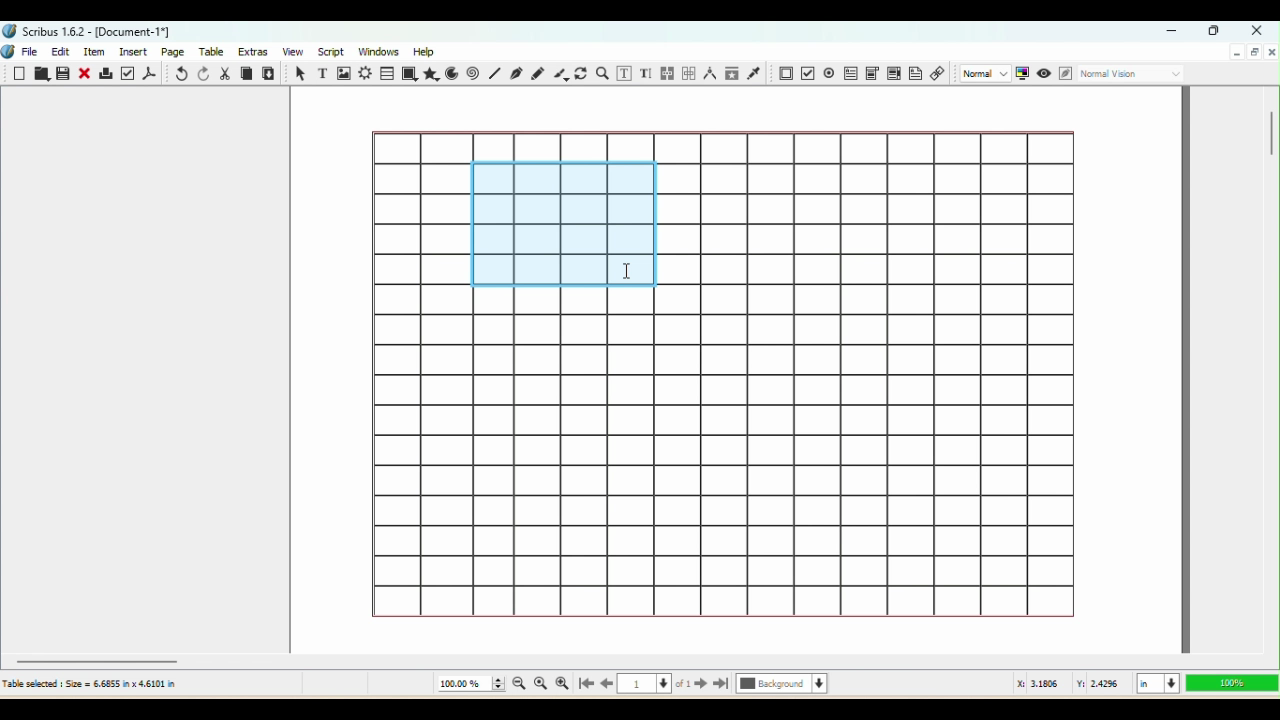 Image resolution: width=1280 pixels, height=720 pixels. Describe the element at coordinates (1175, 32) in the screenshot. I see `Minimize` at that location.